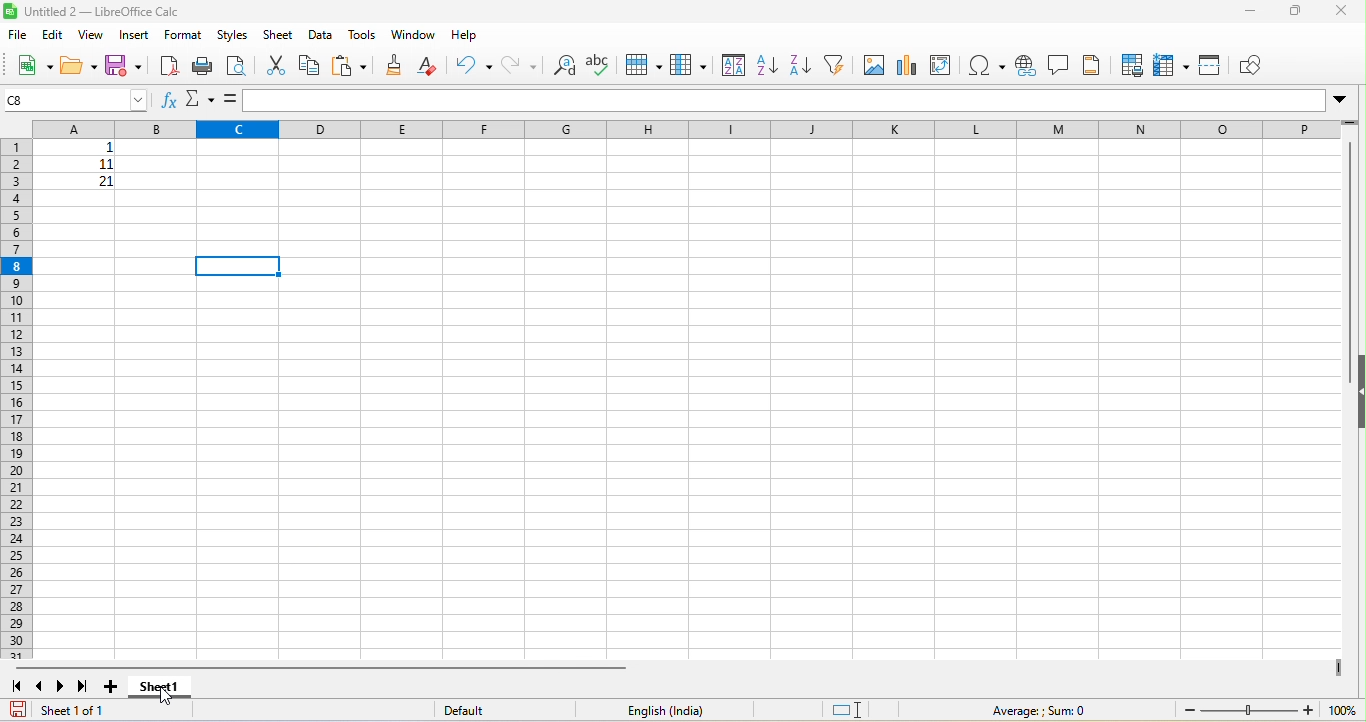 The height and width of the screenshot is (722, 1366). I want to click on row, so click(642, 63).